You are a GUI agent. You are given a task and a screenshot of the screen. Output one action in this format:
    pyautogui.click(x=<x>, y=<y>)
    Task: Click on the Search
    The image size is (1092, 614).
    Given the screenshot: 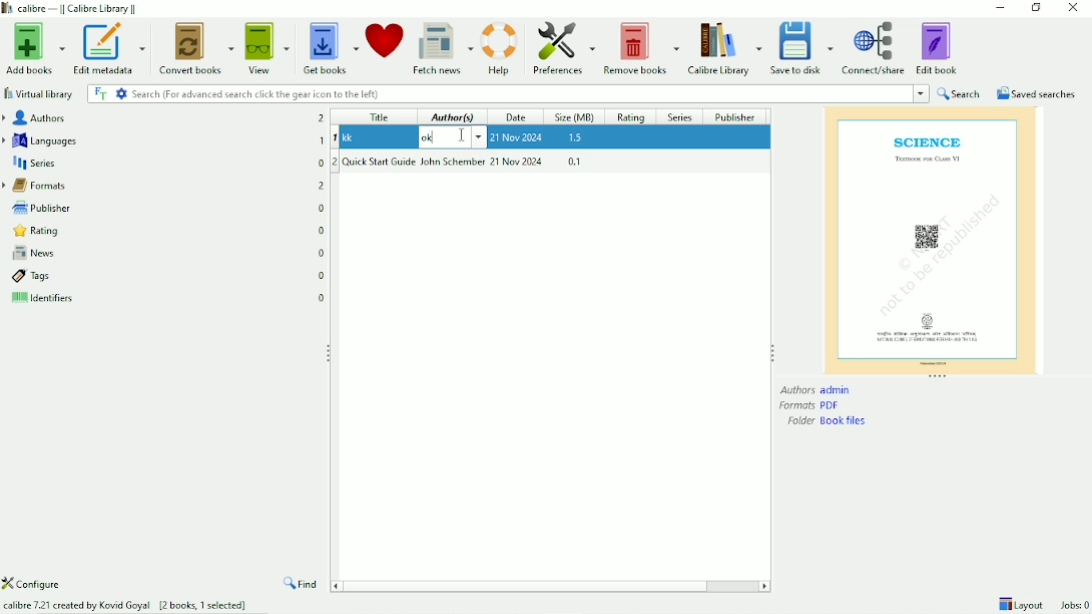 What is the action you would take?
    pyautogui.click(x=506, y=93)
    